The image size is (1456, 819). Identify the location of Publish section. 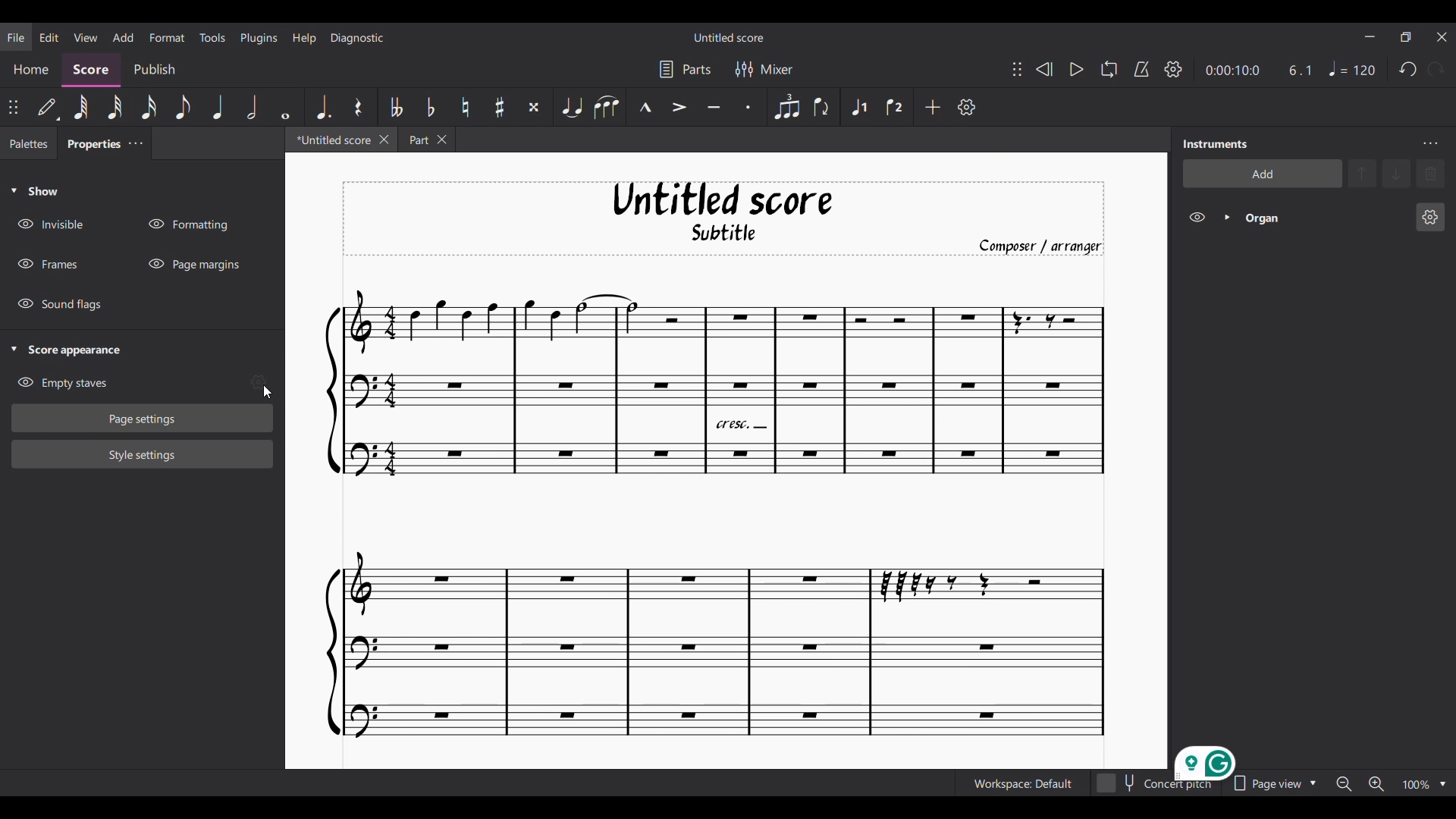
(153, 71).